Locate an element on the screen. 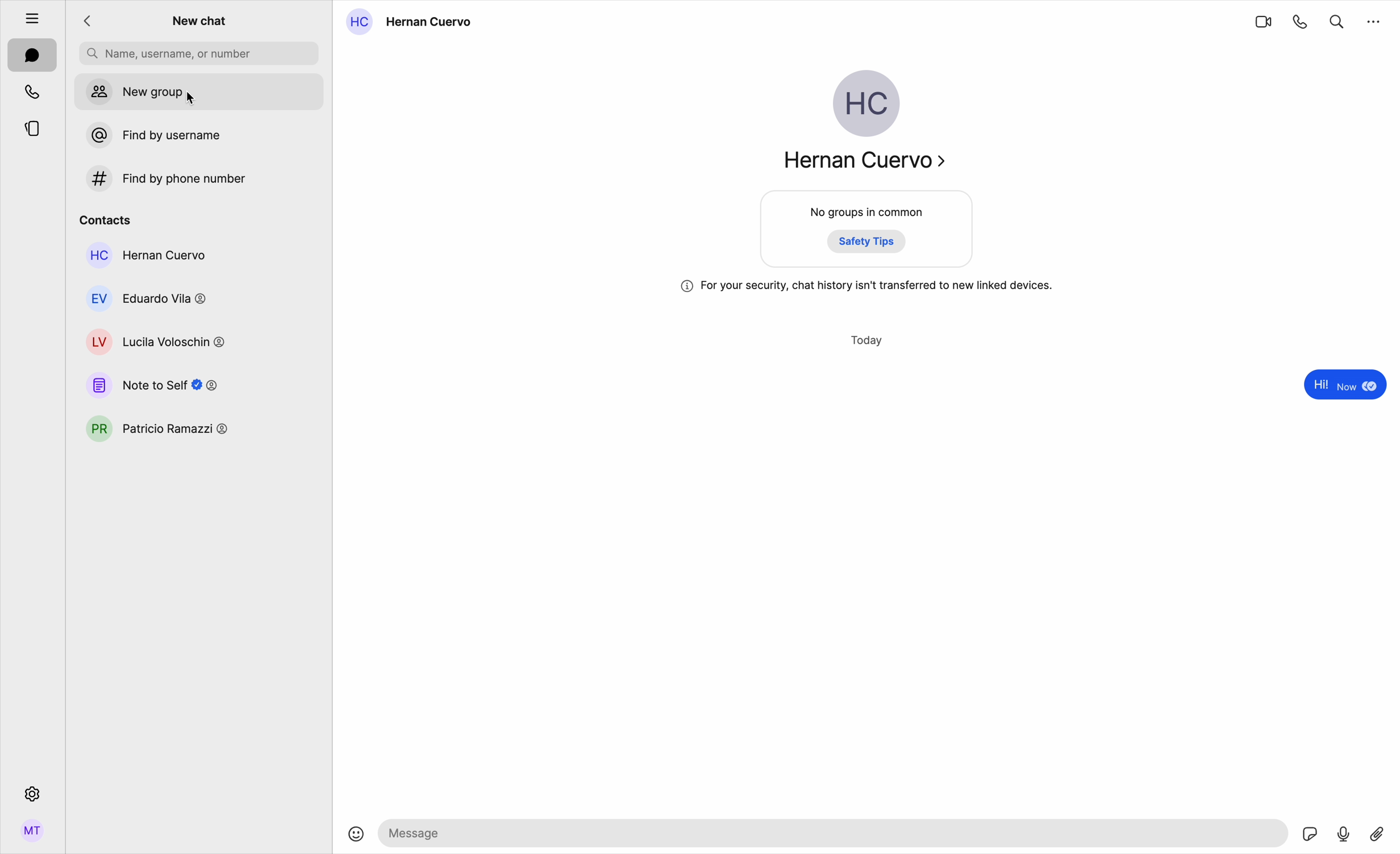 Image resolution: width=1400 pixels, height=854 pixels. contacts is located at coordinates (106, 218).